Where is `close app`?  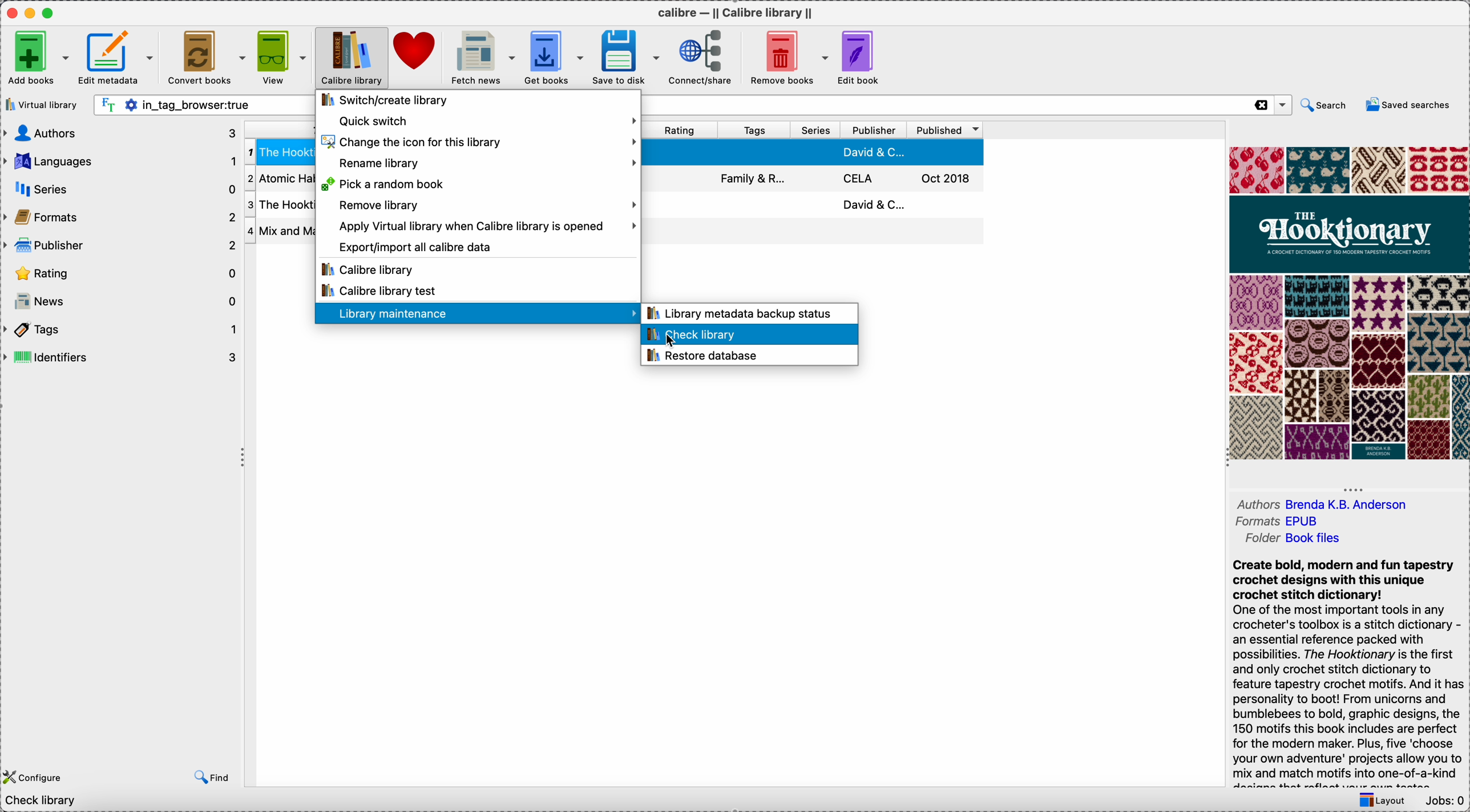 close app is located at coordinates (9, 13).